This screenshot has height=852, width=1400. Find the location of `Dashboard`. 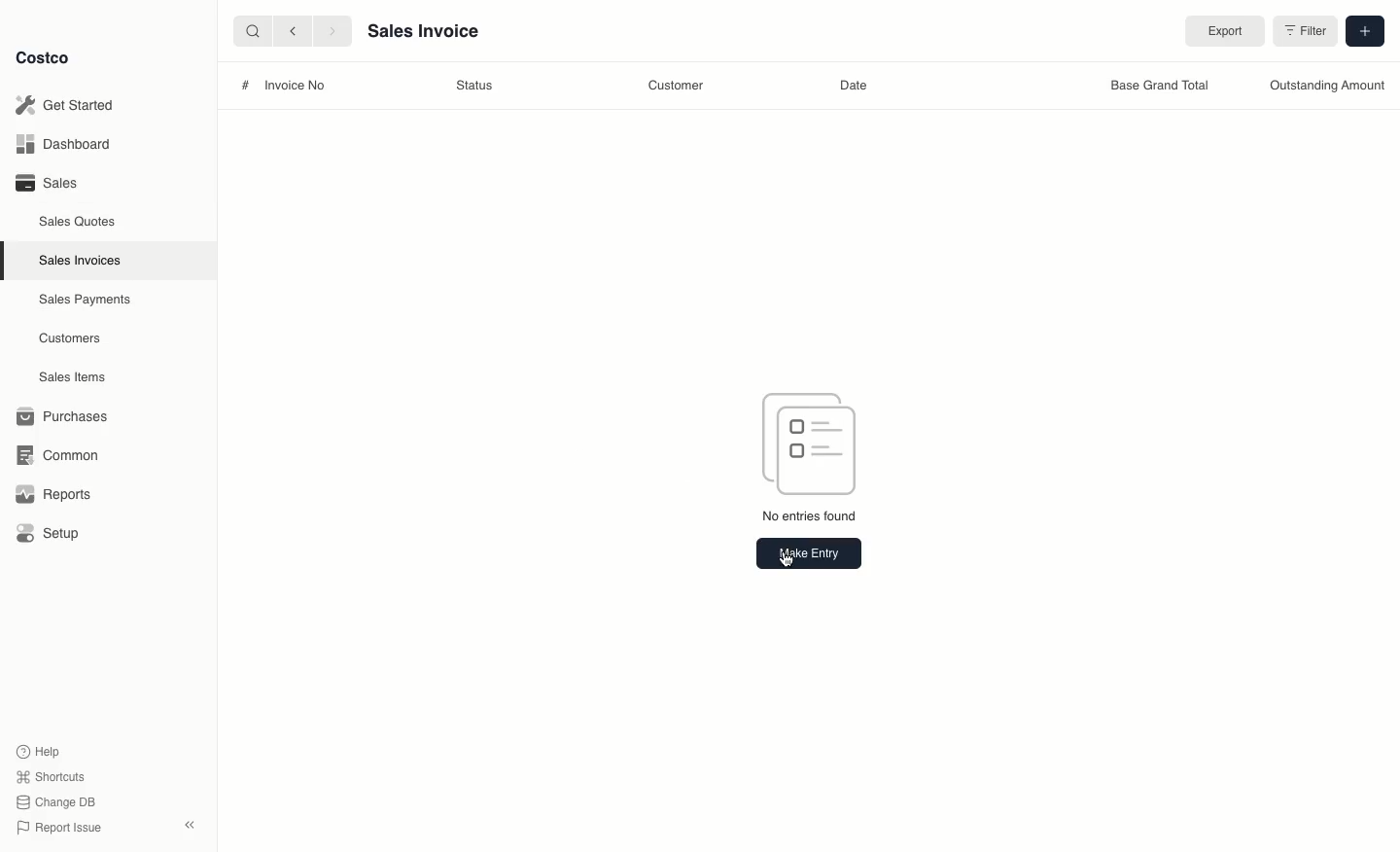

Dashboard is located at coordinates (68, 145).